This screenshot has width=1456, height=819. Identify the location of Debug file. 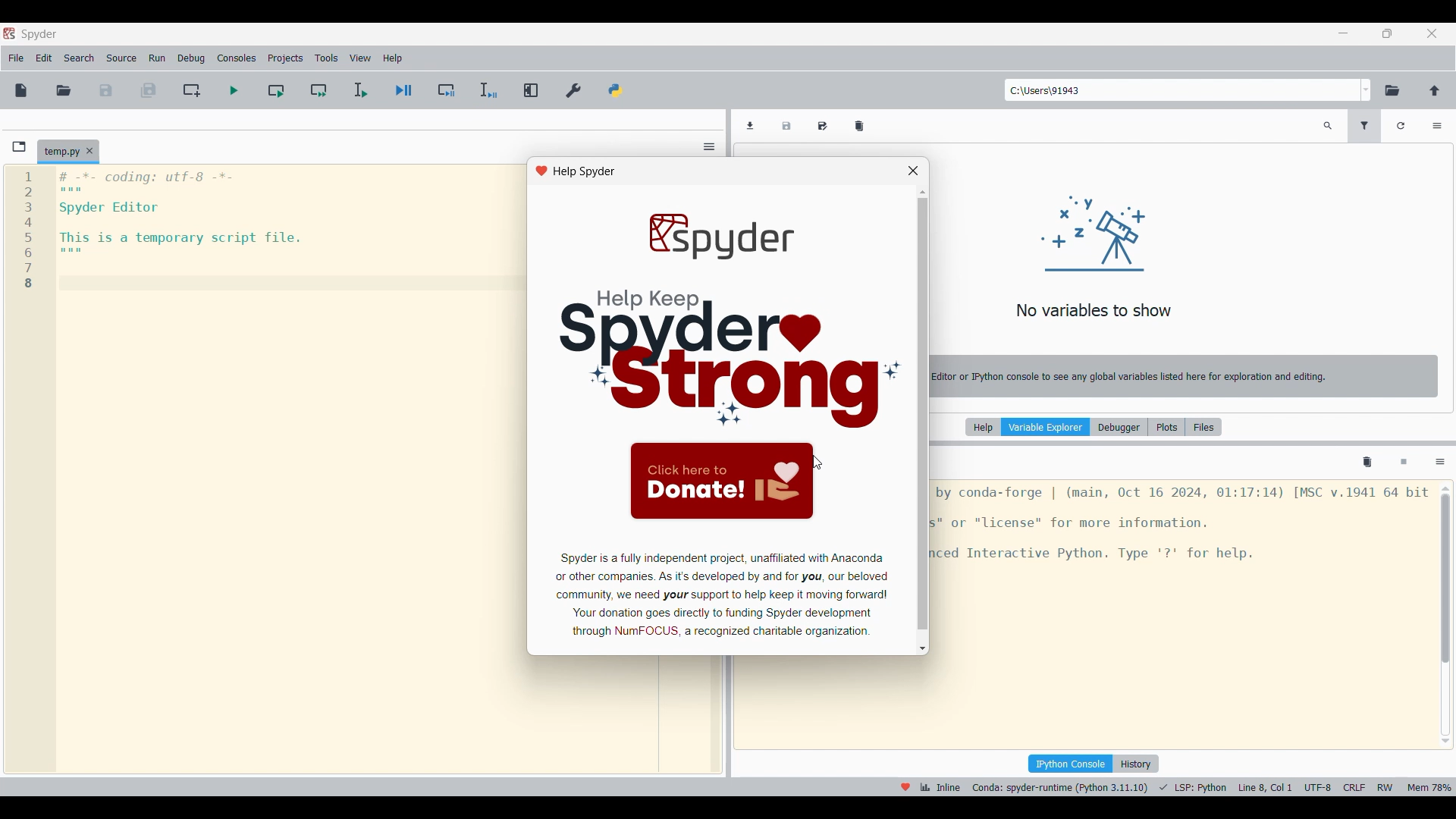
(403, 89).